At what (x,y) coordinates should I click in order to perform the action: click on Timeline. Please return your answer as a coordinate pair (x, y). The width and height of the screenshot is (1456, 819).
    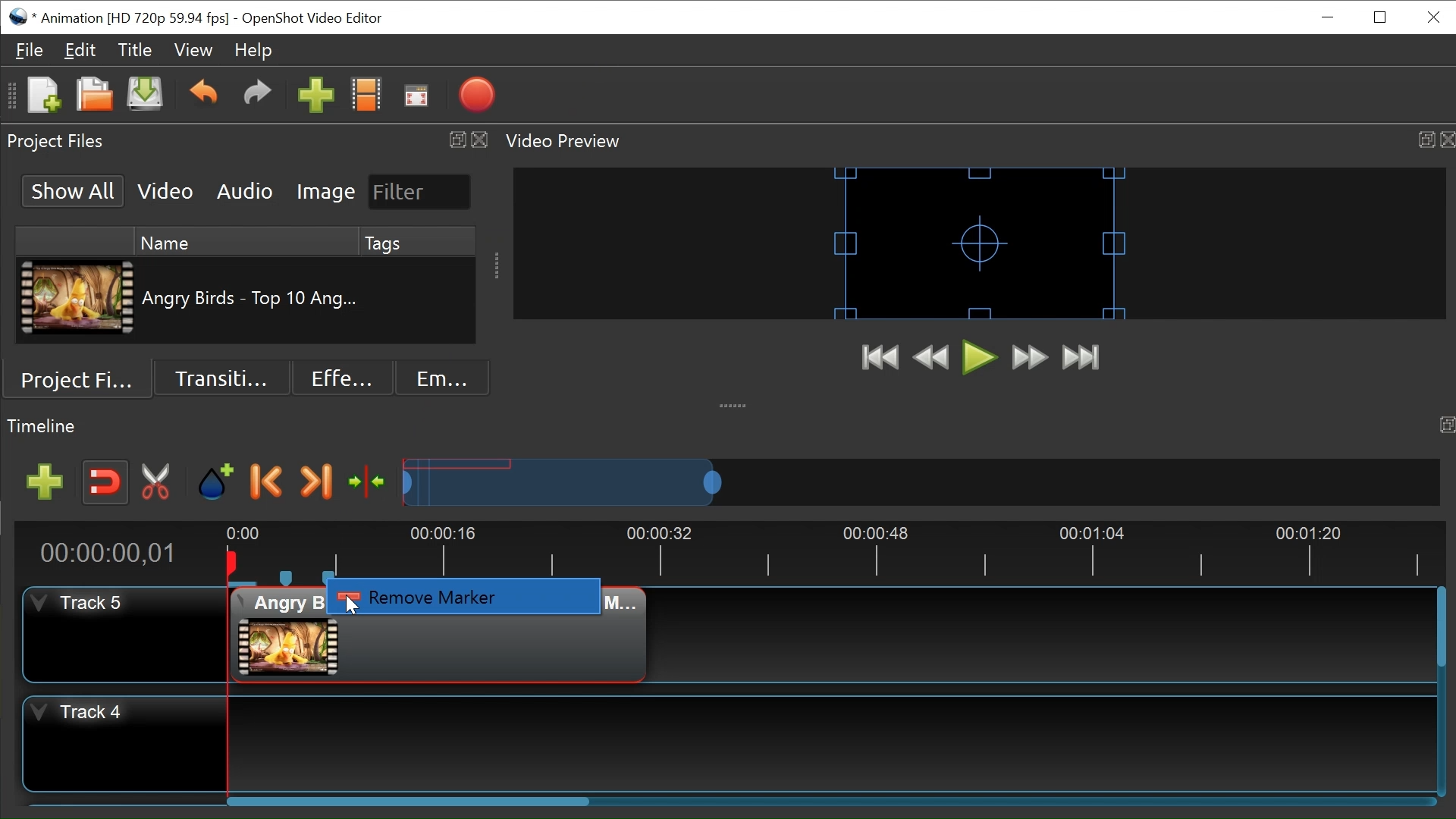
    Looking at the image, I should click on (830, 544).